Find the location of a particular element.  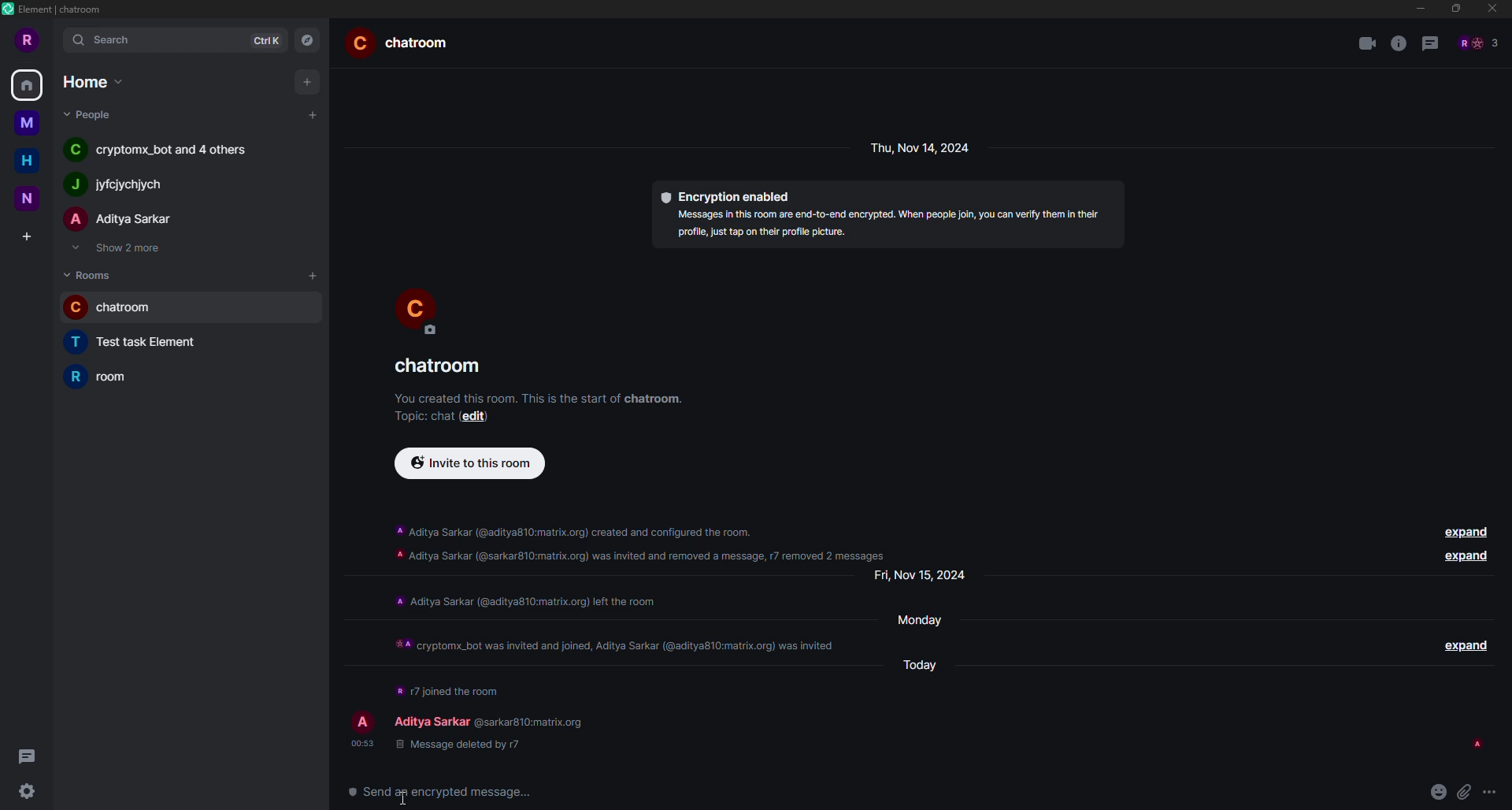

day is located at coordinates (928, 619).